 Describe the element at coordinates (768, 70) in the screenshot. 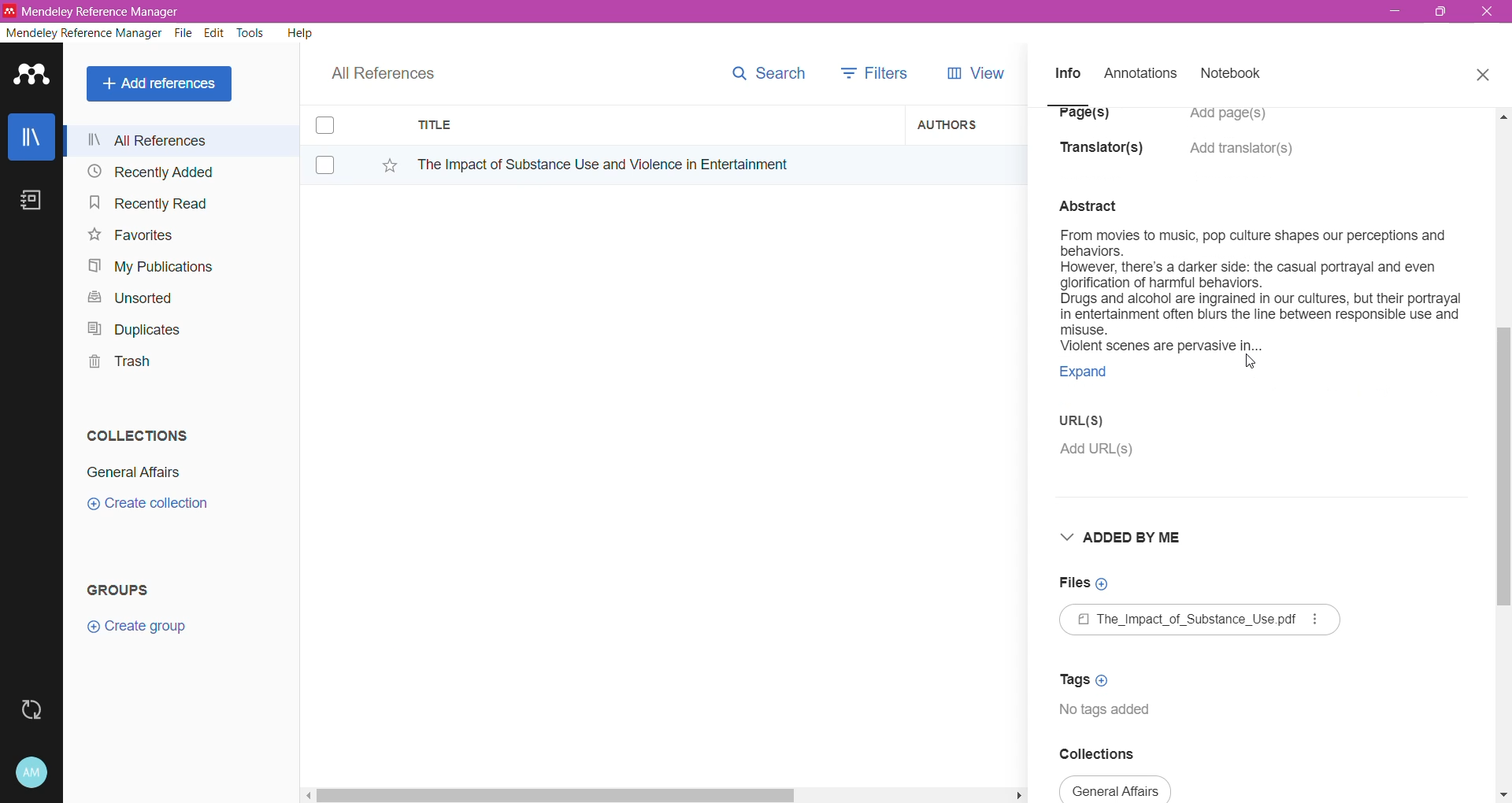

I see `Search` at that location.